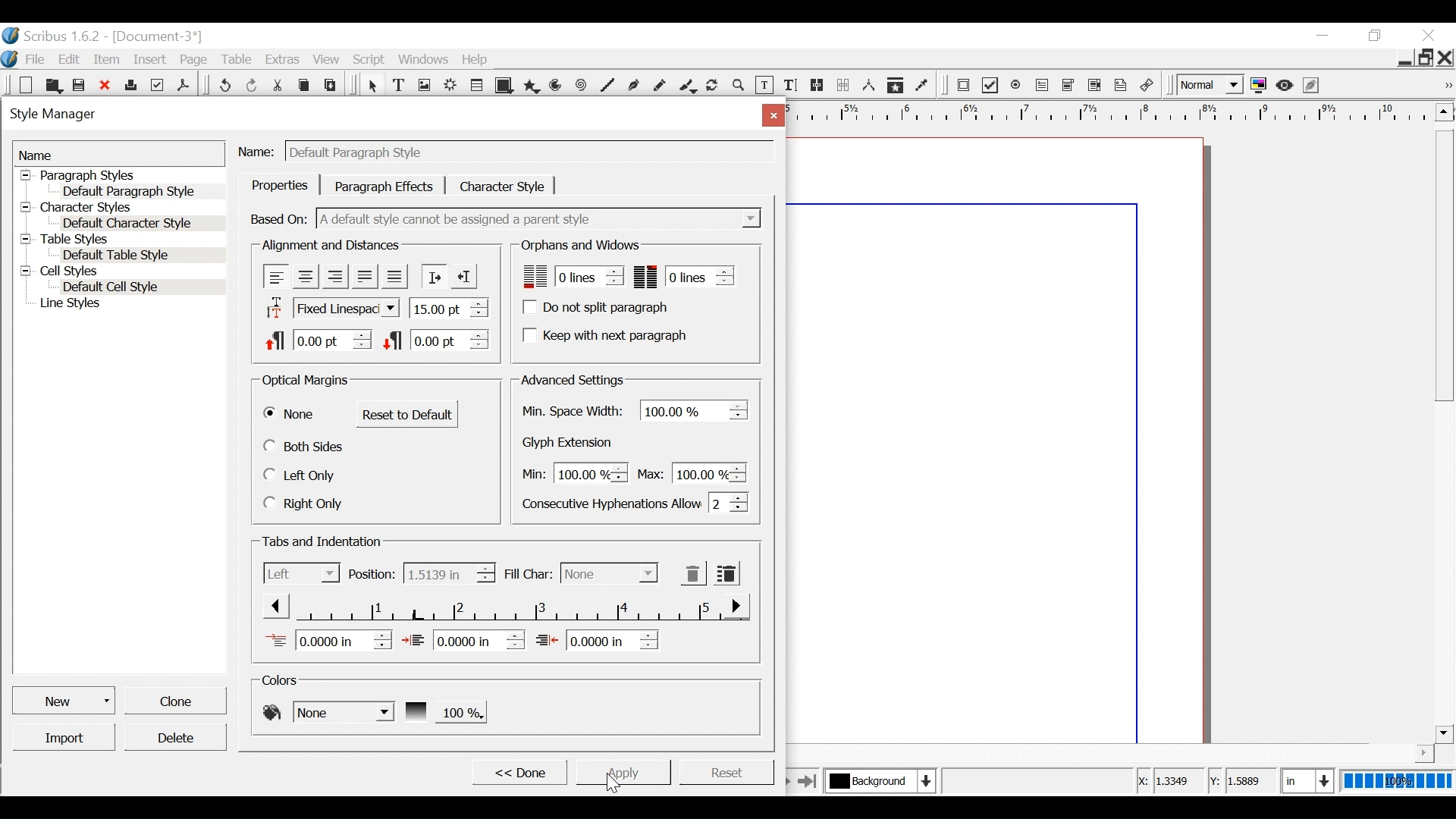 The width and height of the screenshot is (1456, 819). What do you see at coordinates (306, 446) in the screenshot?
I see `(un)select Both Sides` at bounding box center [306, 446].